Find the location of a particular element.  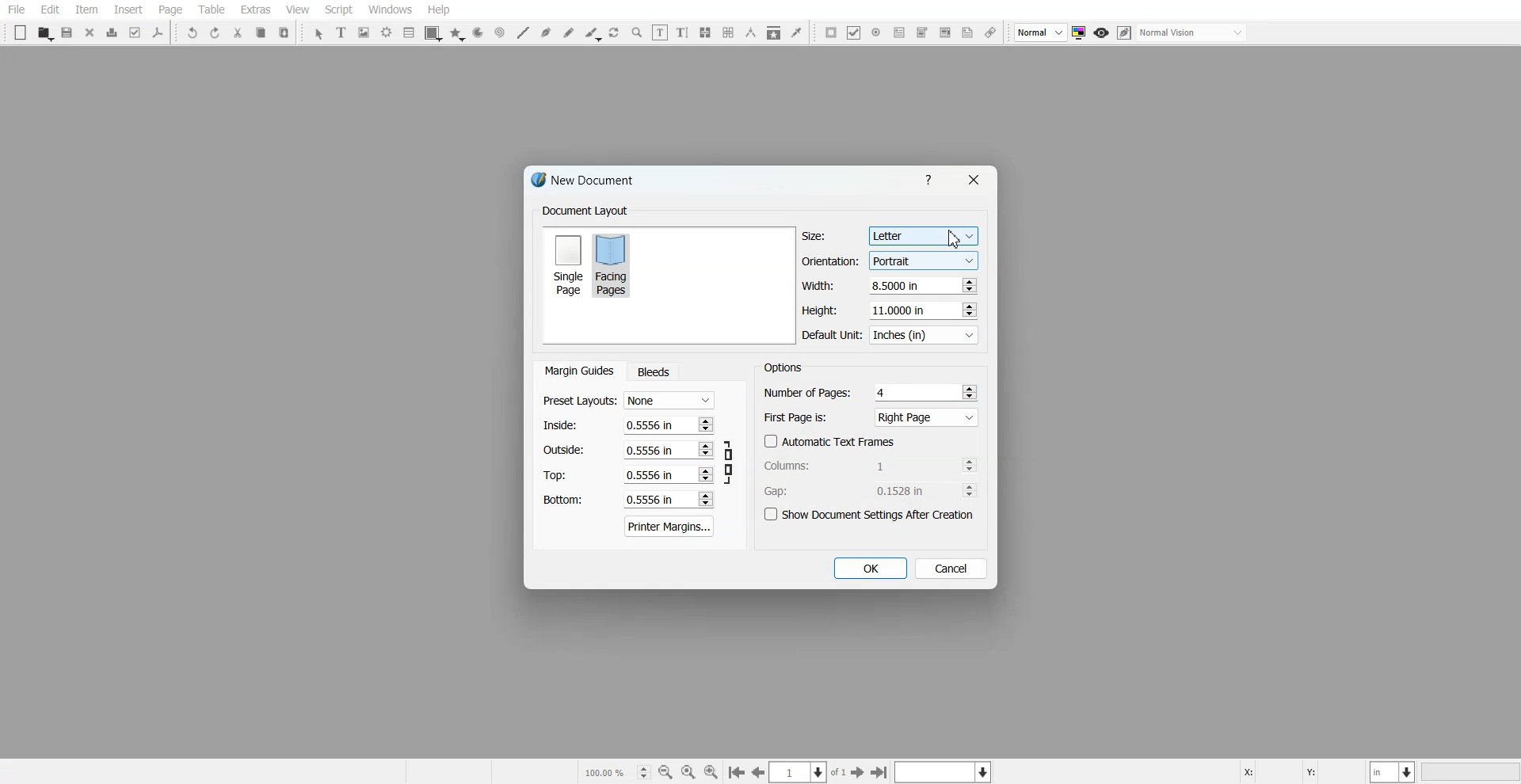

Line is located at coordinates (522, 32).